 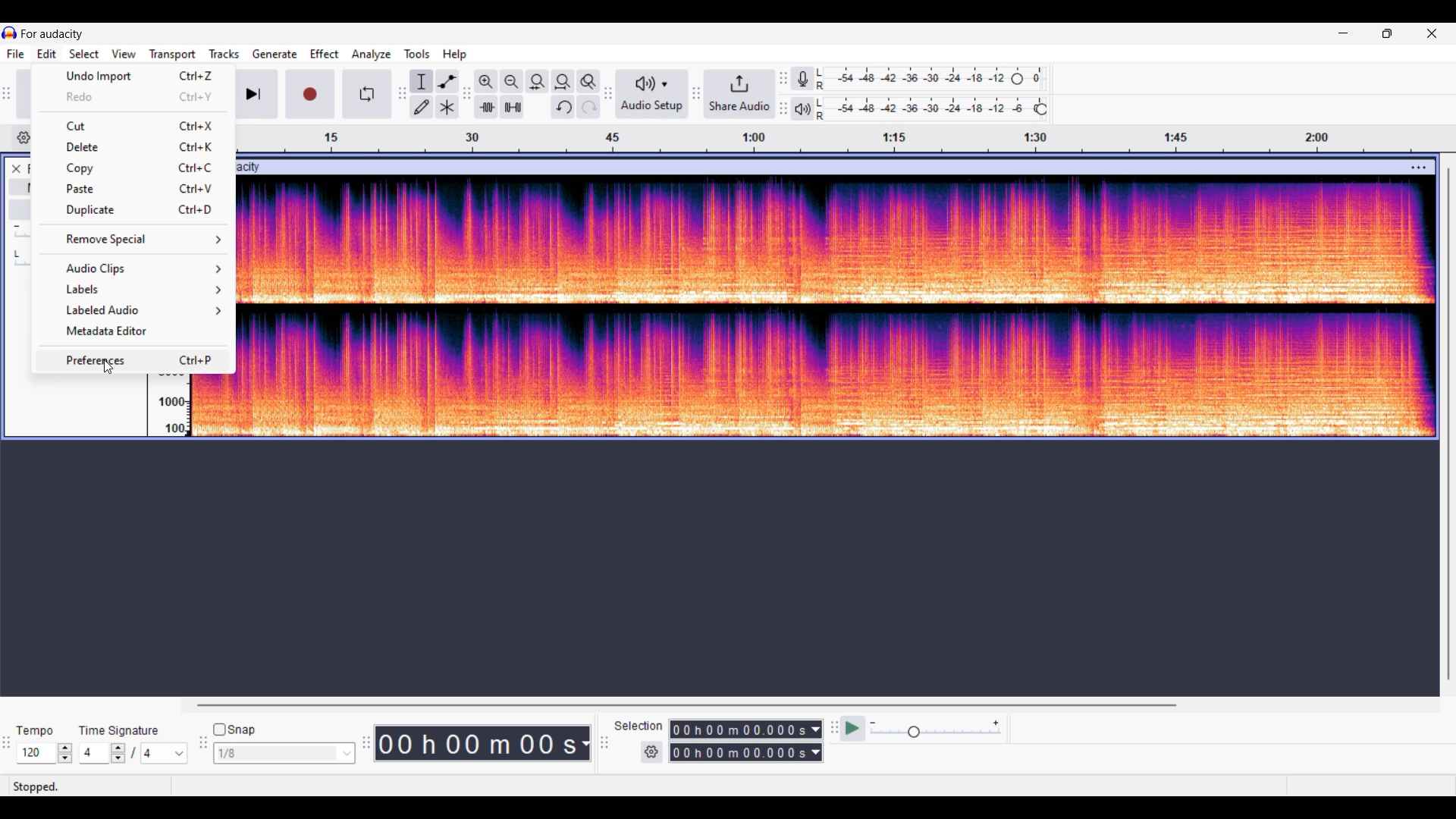 What do you see at coordinates (803, 108) in the screenshot?
I see `Playback meter` at bounding box center [803, 108].